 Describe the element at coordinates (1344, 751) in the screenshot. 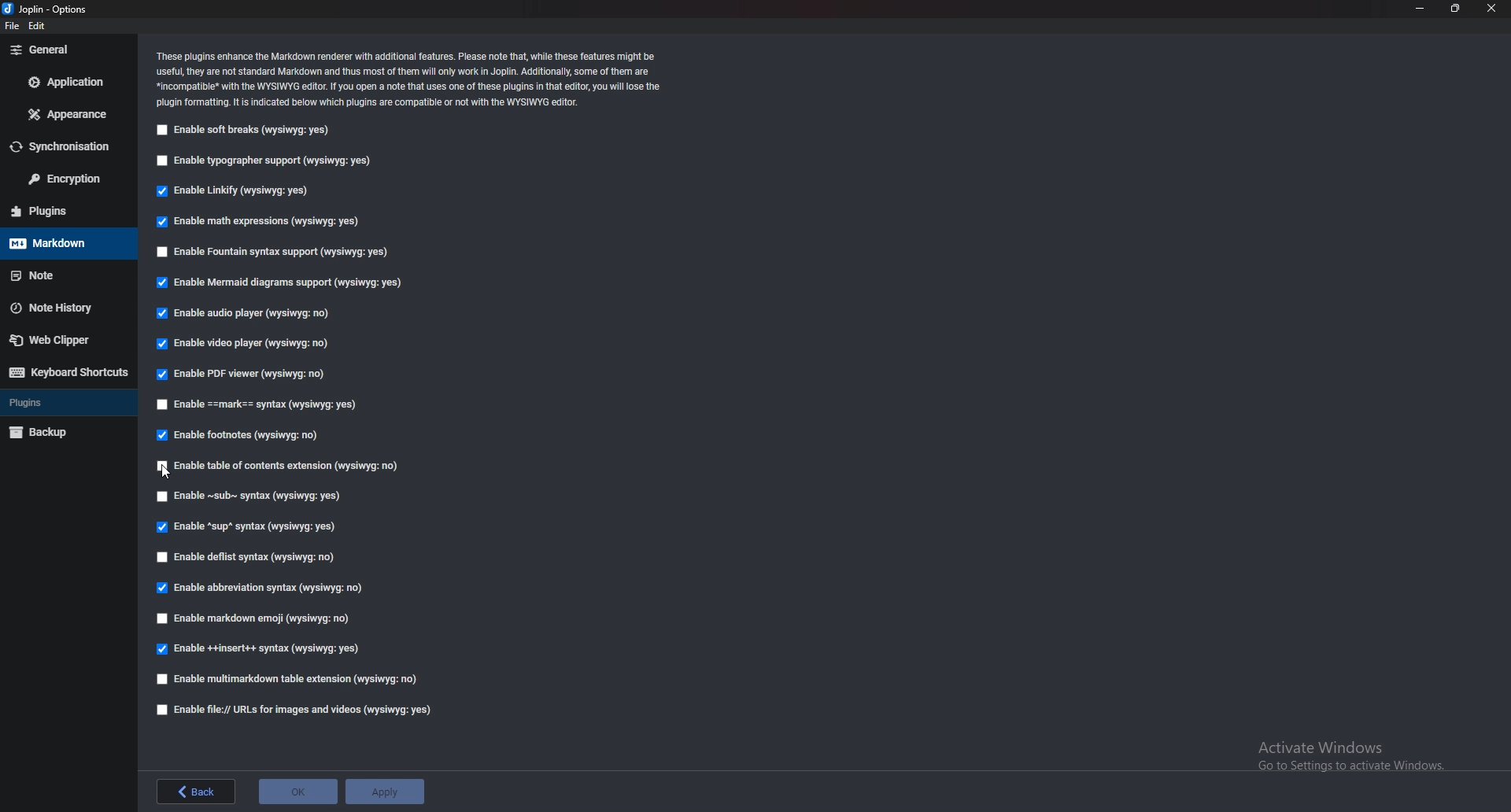

I see `Activate Windows
Go to Settings to activate Windows.` at that location.